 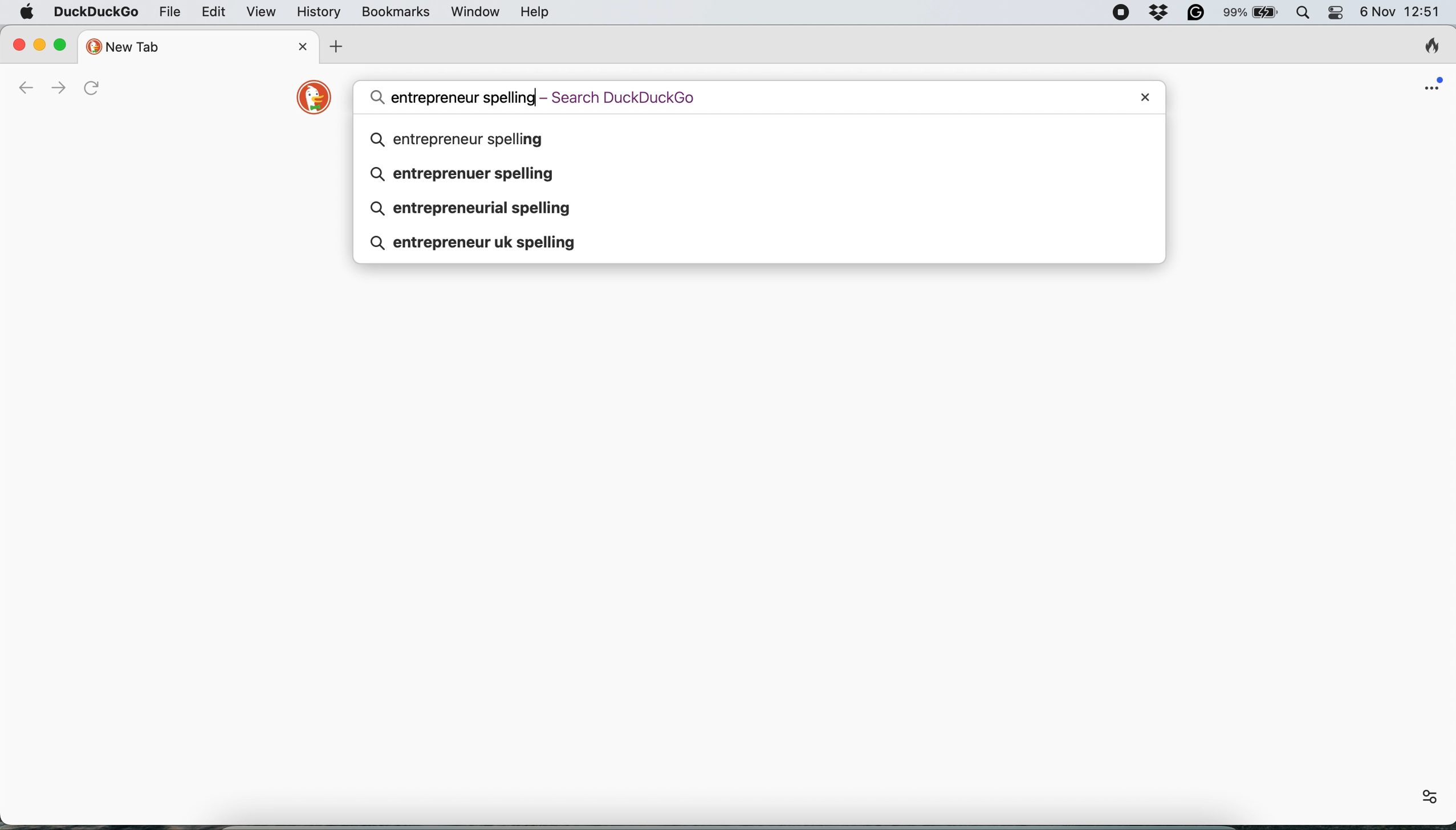 What do you see at coordinates (1337, 13) in the screenshot?
I see `control center` at bounding box center [1337, 13].